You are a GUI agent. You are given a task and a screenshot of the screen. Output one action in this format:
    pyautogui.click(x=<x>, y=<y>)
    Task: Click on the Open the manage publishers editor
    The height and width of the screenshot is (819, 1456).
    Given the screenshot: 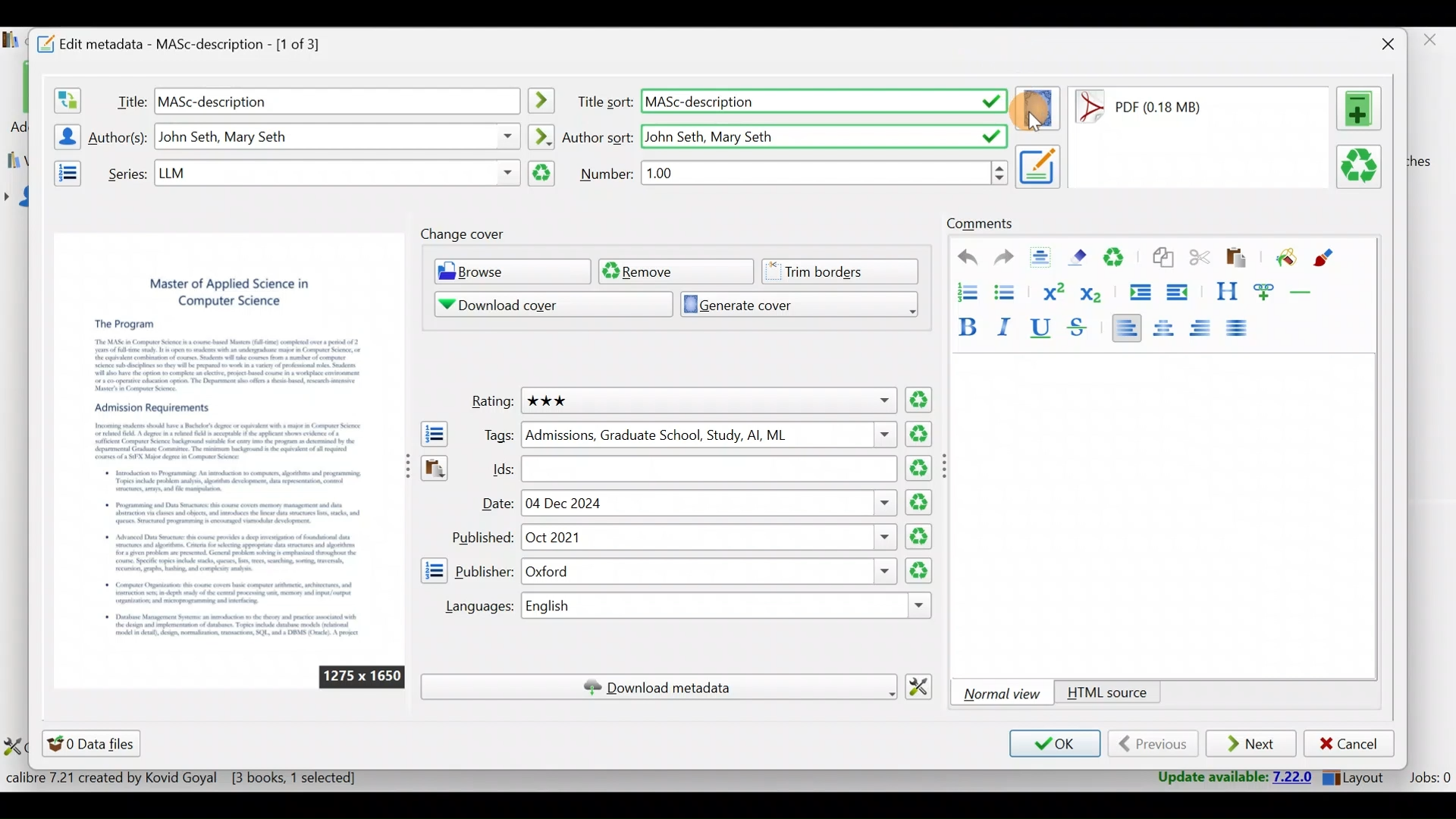 What is the action you would take?
    pyautogui.click(x=433, y=570)
    